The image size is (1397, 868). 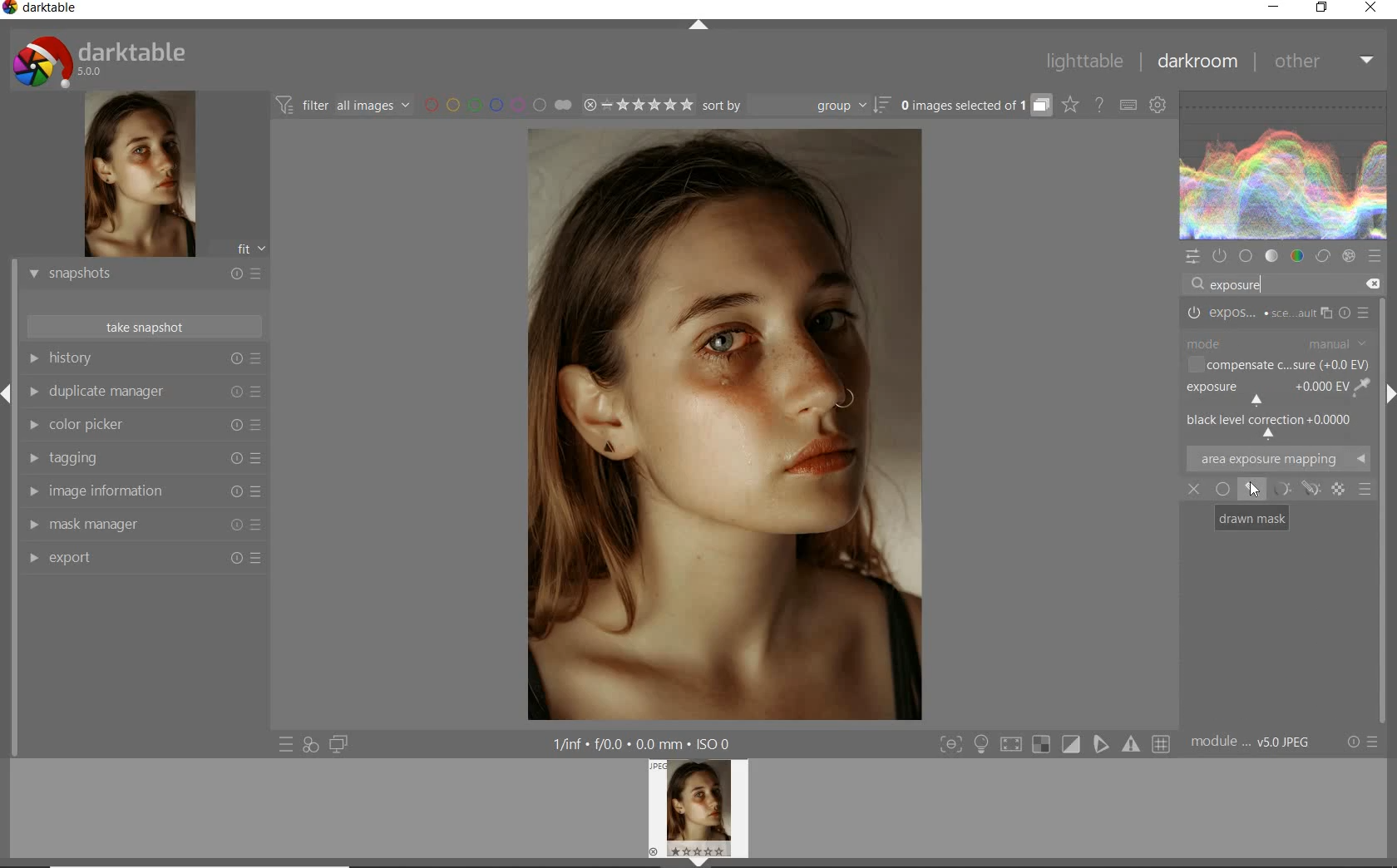 What do you see at coordinates (1055, 746) in the screenshot?
I see `toggle modes` at bounding box center [1055, 746].